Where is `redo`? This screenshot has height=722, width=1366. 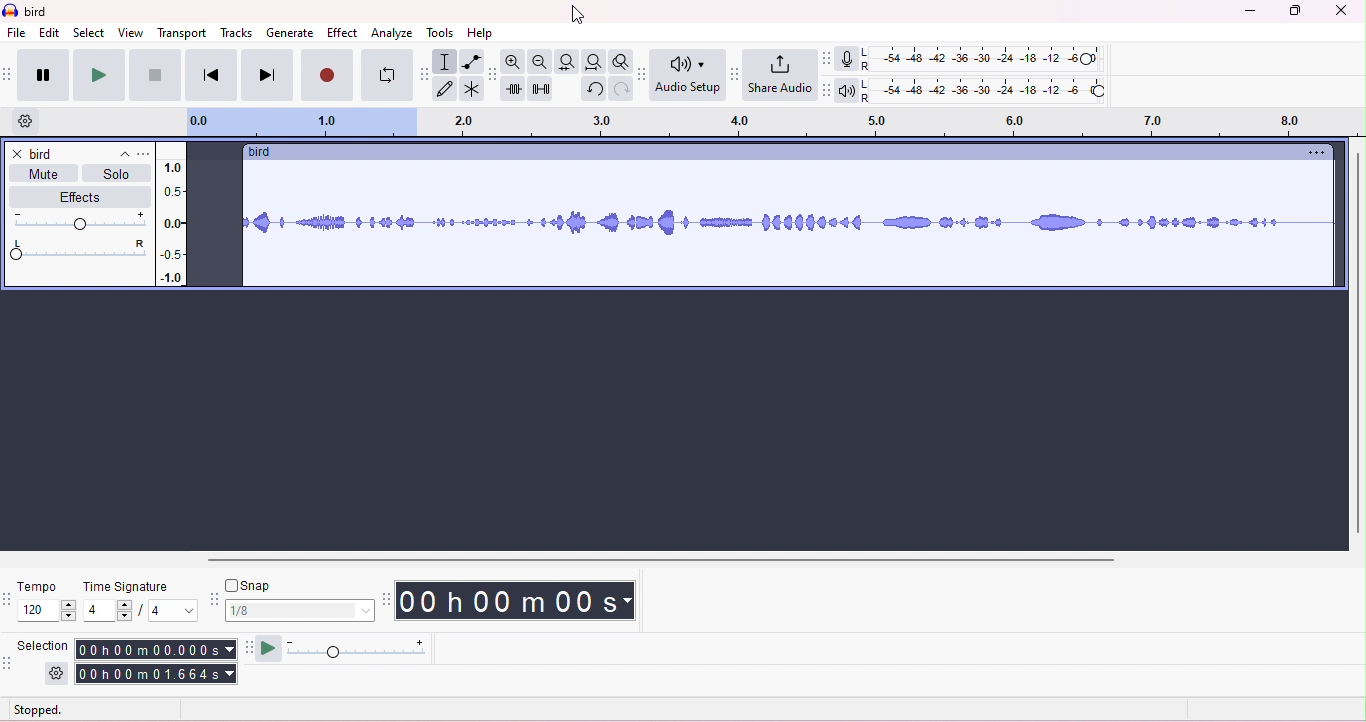 redo is located at coordinates (619, 90).